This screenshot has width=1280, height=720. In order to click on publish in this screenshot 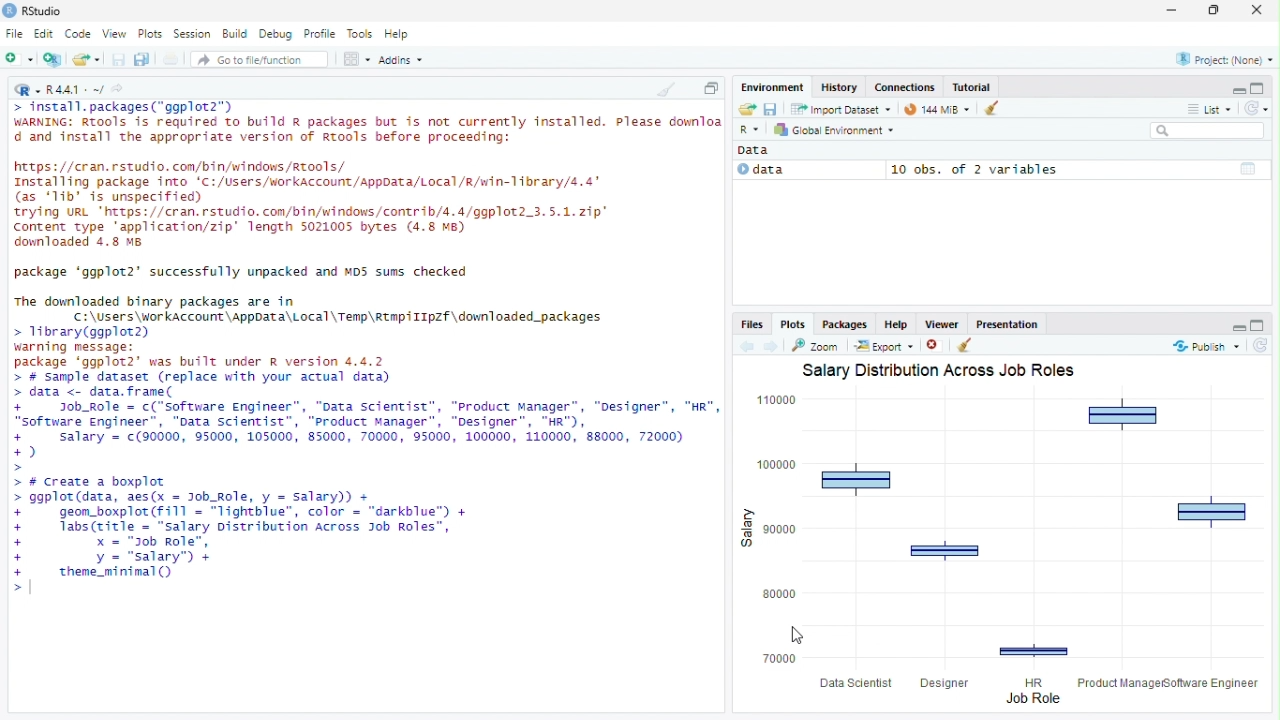, I will do `click(1207, 346)`.